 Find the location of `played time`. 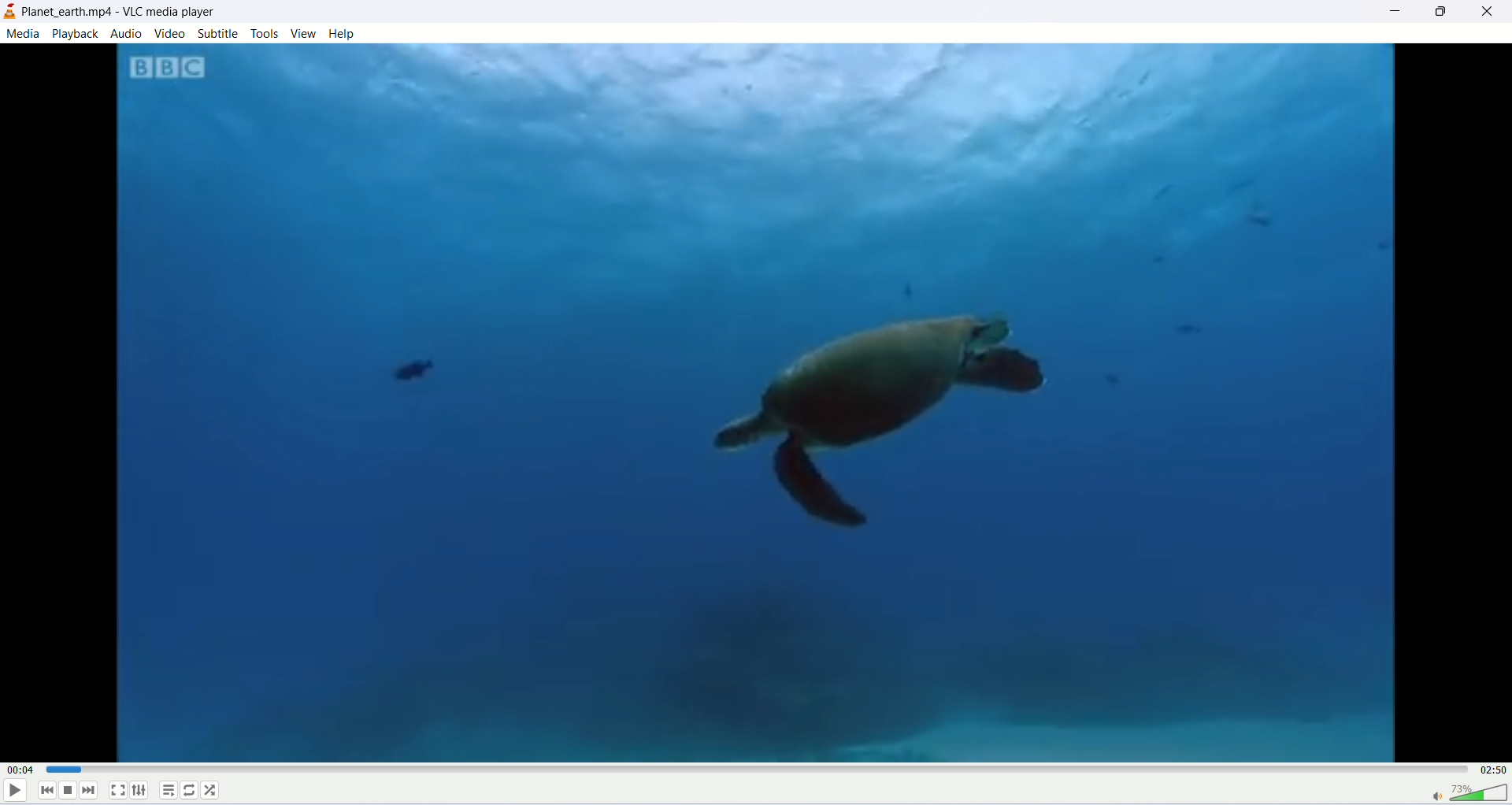

played time is located at coordinates (20, 771).